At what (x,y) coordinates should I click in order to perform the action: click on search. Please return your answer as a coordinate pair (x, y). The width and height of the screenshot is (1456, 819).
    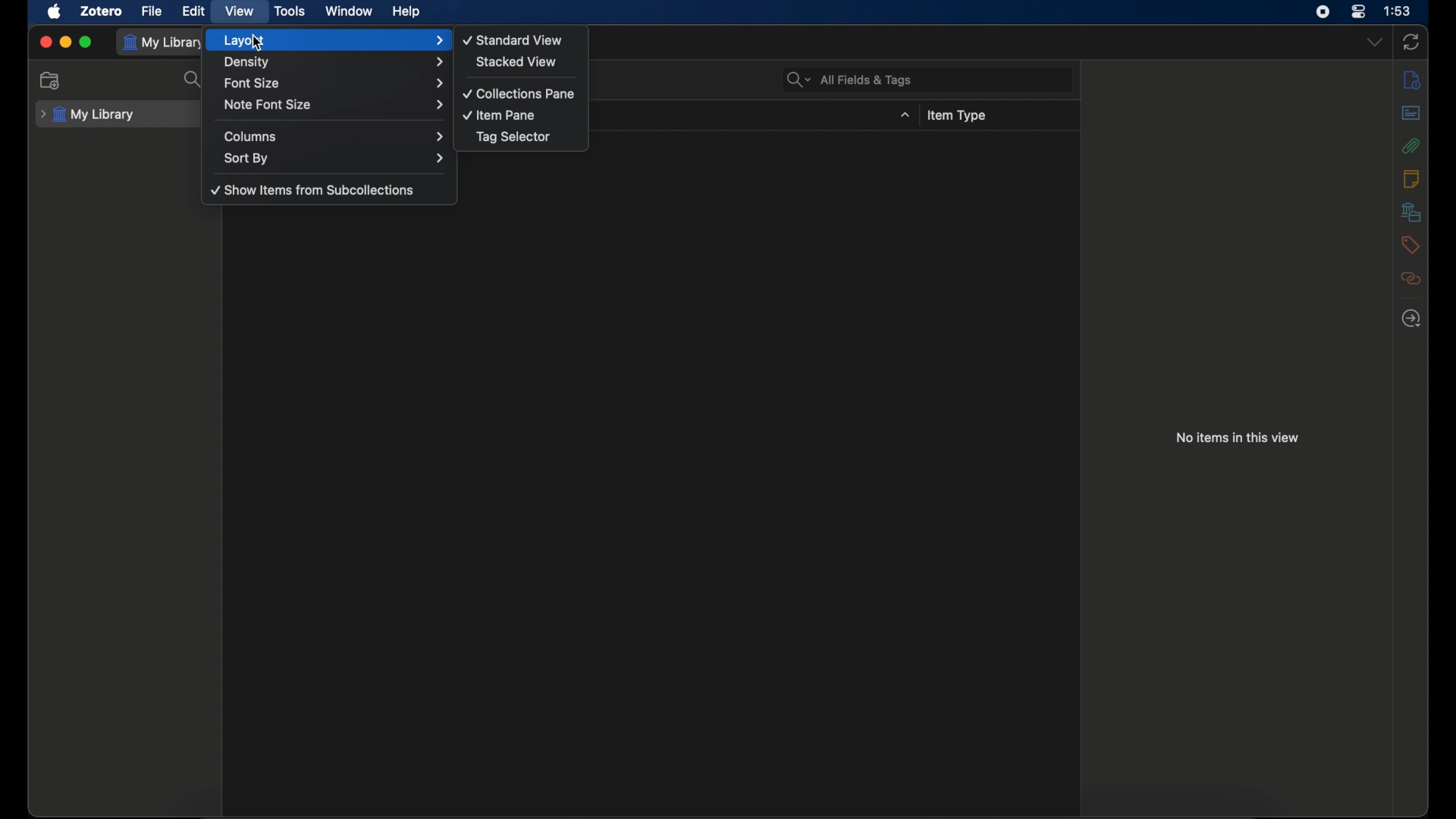
    Looking at the image, I should click on (194, 80).